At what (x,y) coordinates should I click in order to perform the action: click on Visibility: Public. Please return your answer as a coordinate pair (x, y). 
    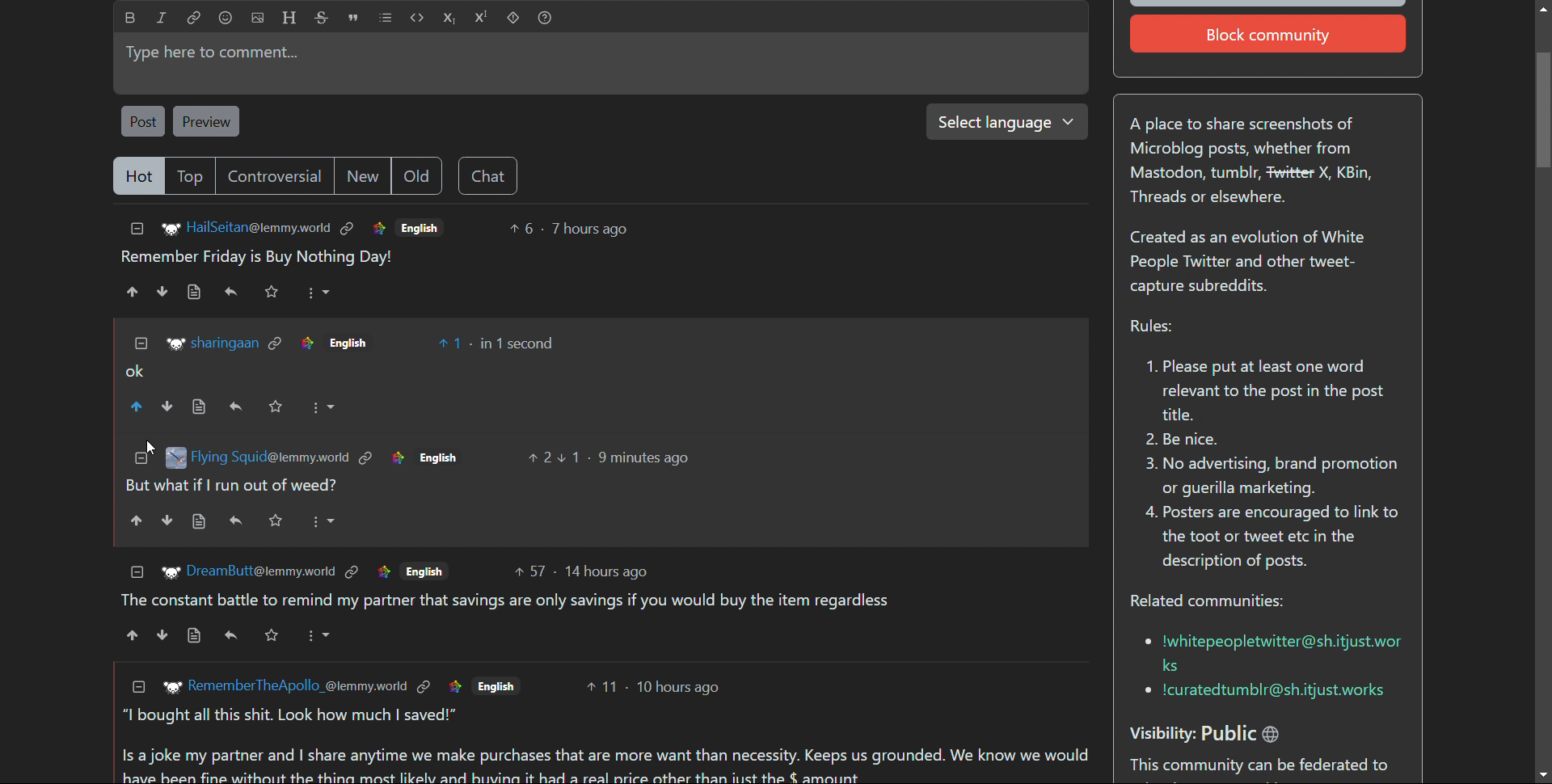
    Looking at the image, I should click on (1225, 728).